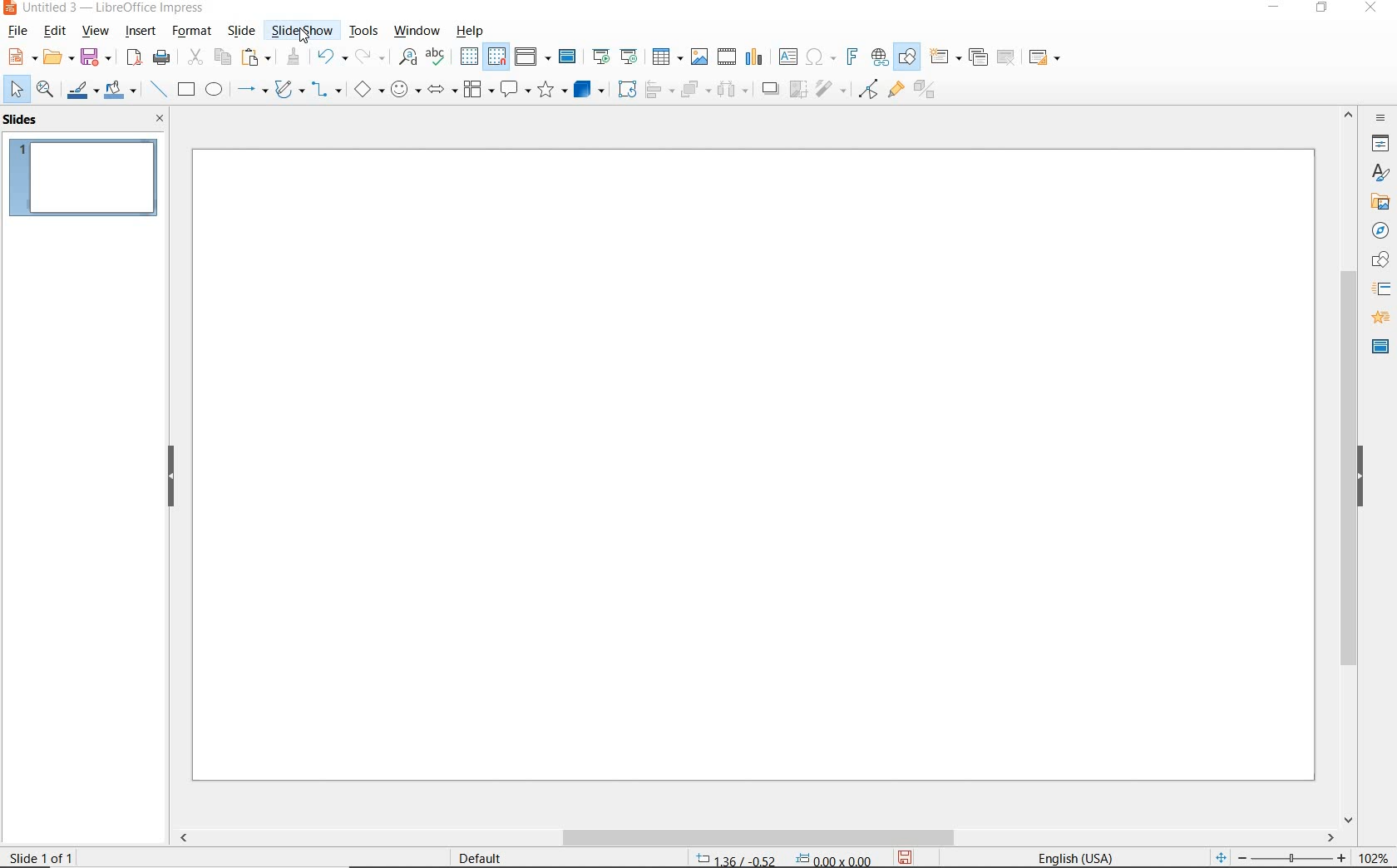 Image resolution: width=1397 pixels, height=868 pixels. Describe the element at coordinates (1378, 290) in the screenshot. I see `SLIDE TRANSITION` at that location.